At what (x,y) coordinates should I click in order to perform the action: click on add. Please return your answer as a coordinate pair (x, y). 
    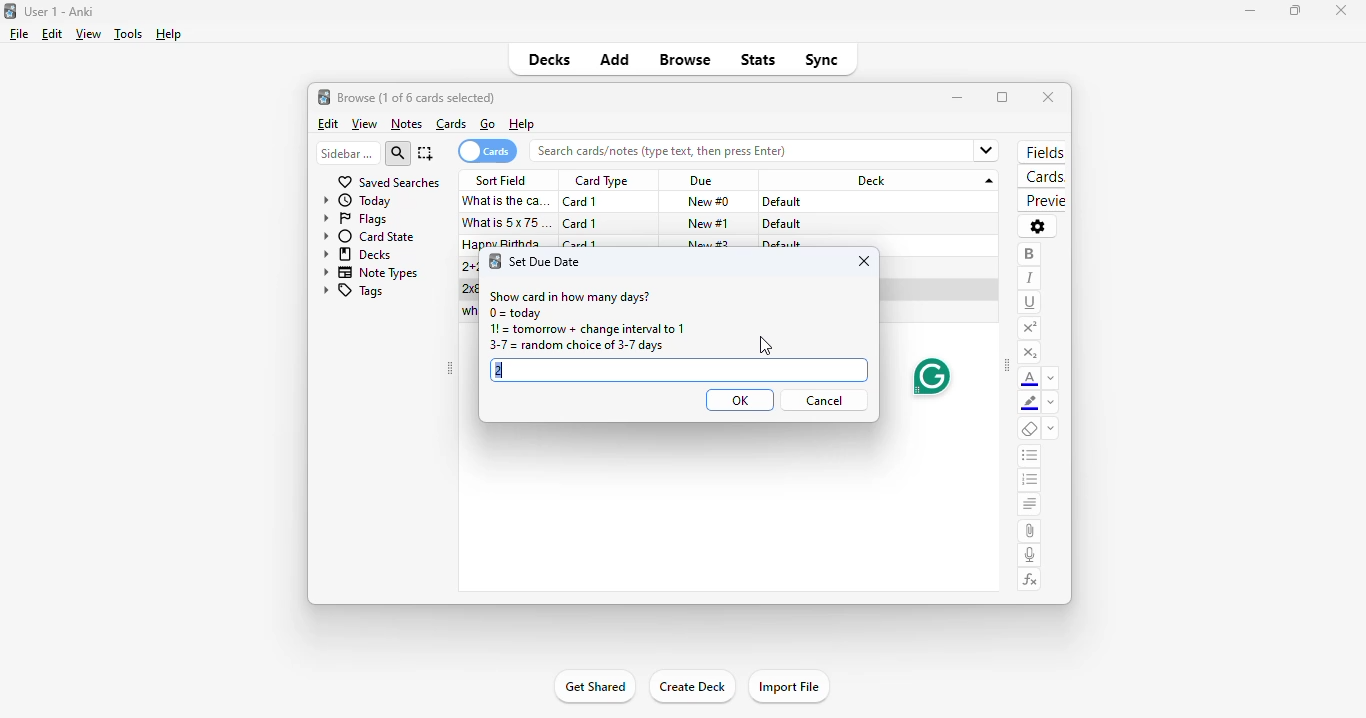
    Looking at the image, I should click on (614, 61).